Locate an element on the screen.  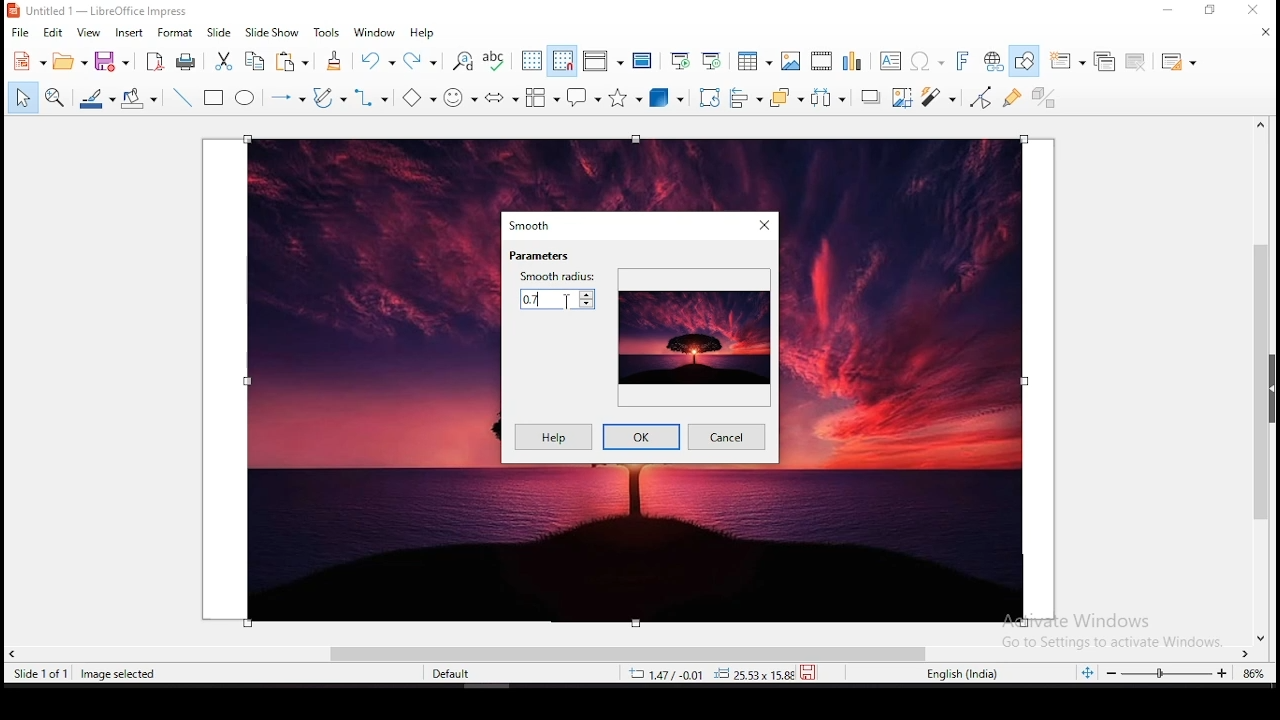
slide 1 of 1 is located at coordinates (44, 674).